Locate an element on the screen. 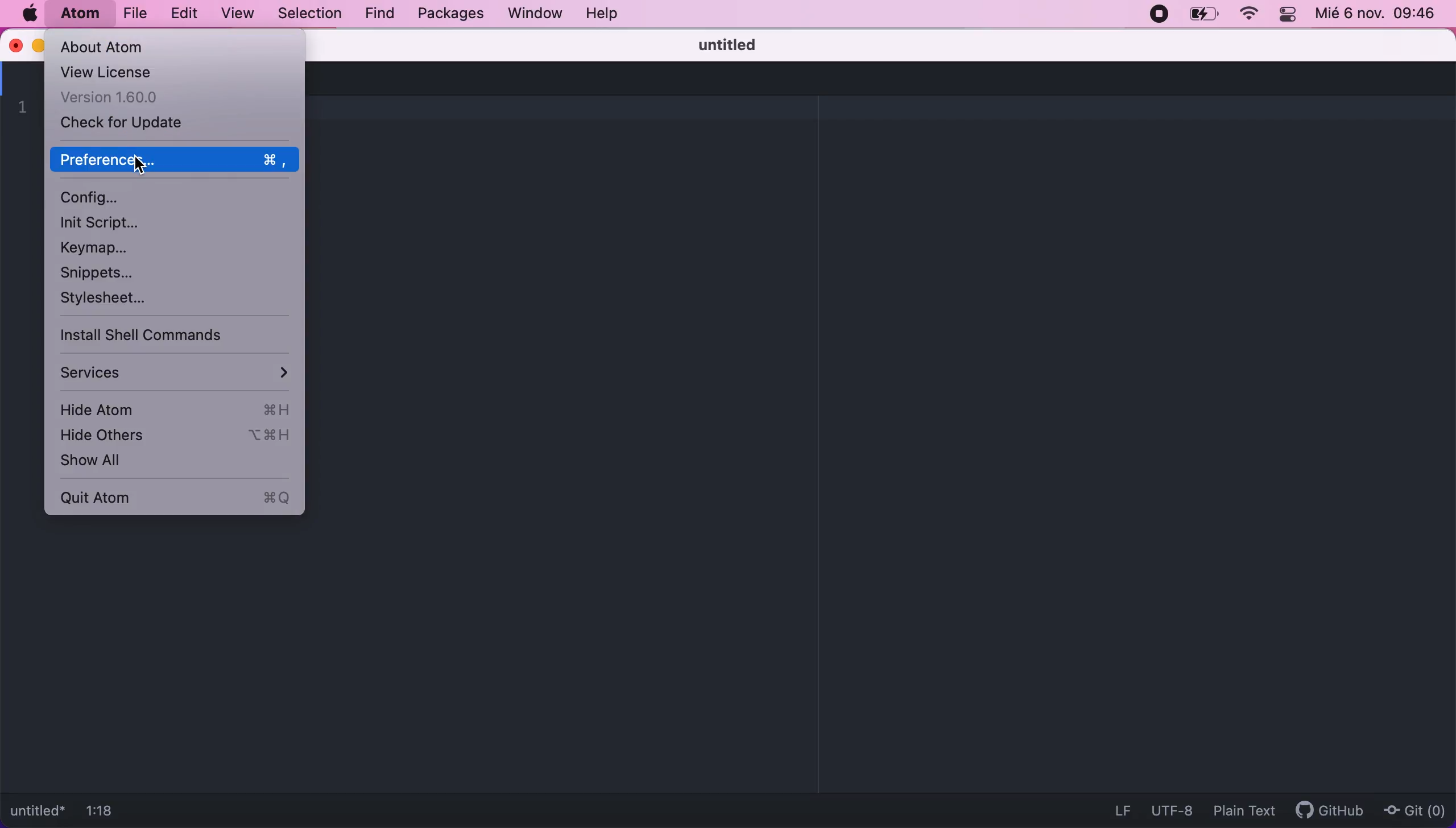 This screenshot has height=828, width=1456. quit atom is located at coordinates (176, 496).